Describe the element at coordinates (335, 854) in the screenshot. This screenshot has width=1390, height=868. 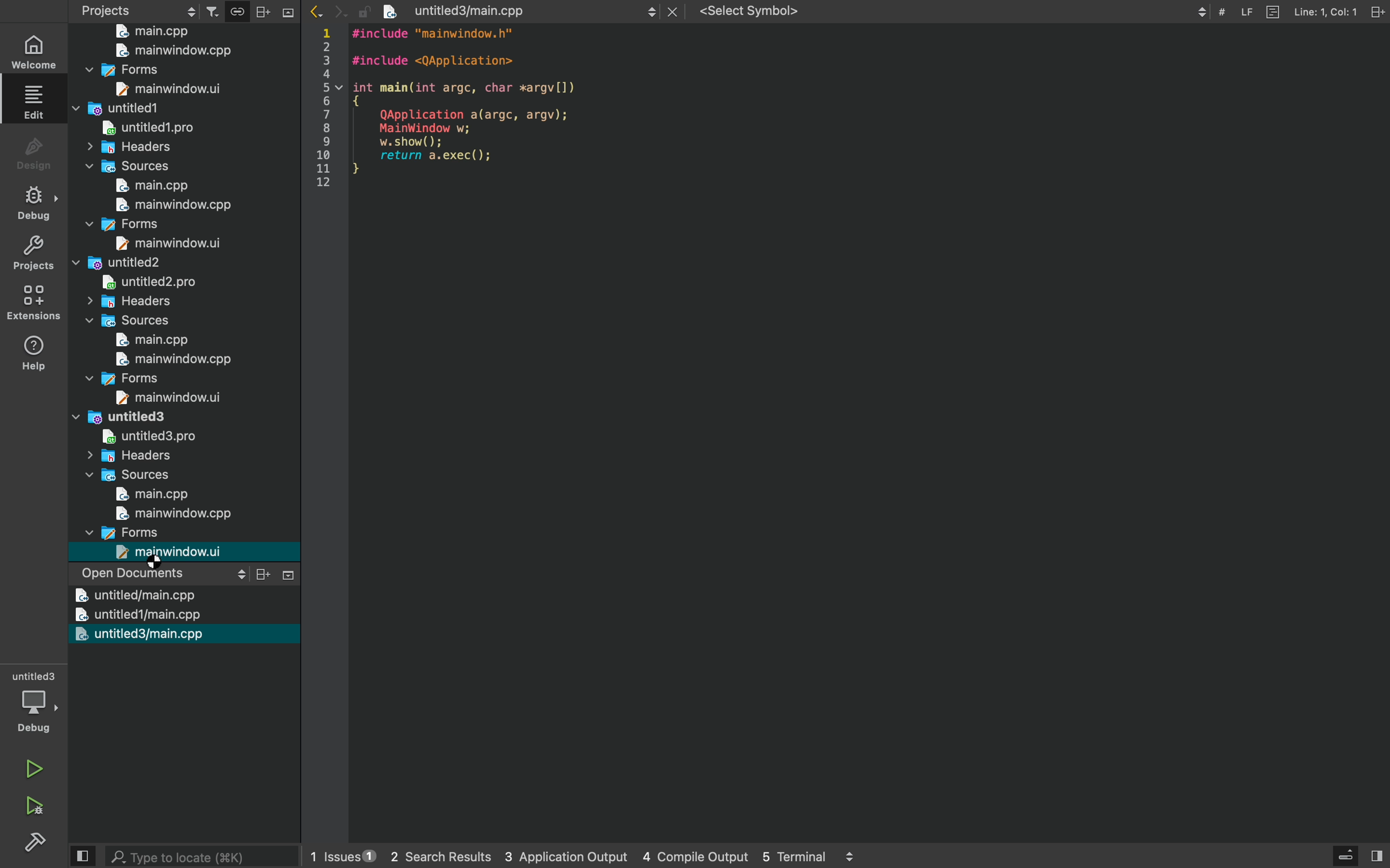
I see `1 issues` at that location.